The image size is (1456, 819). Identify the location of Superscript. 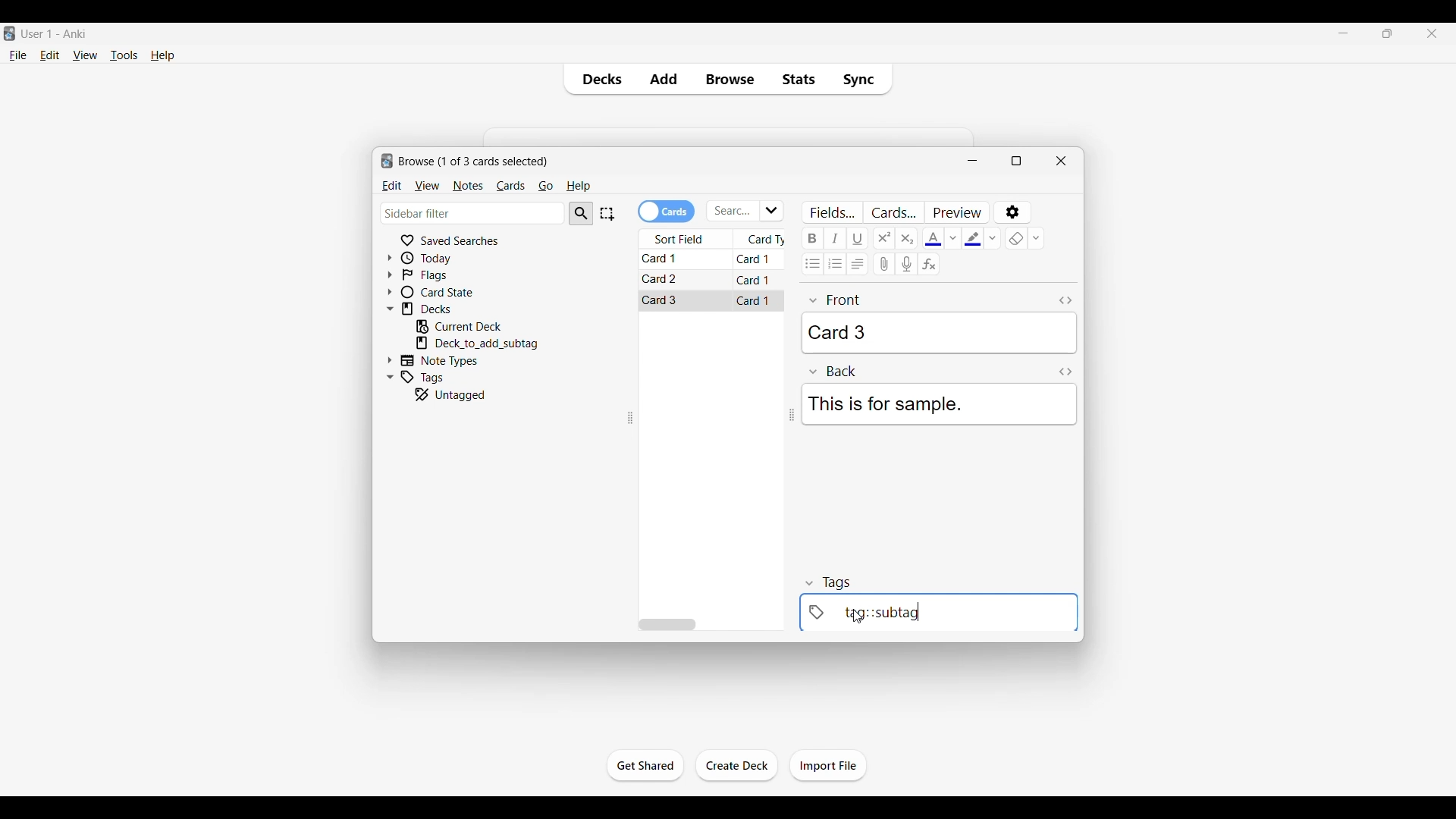
(883, 238).